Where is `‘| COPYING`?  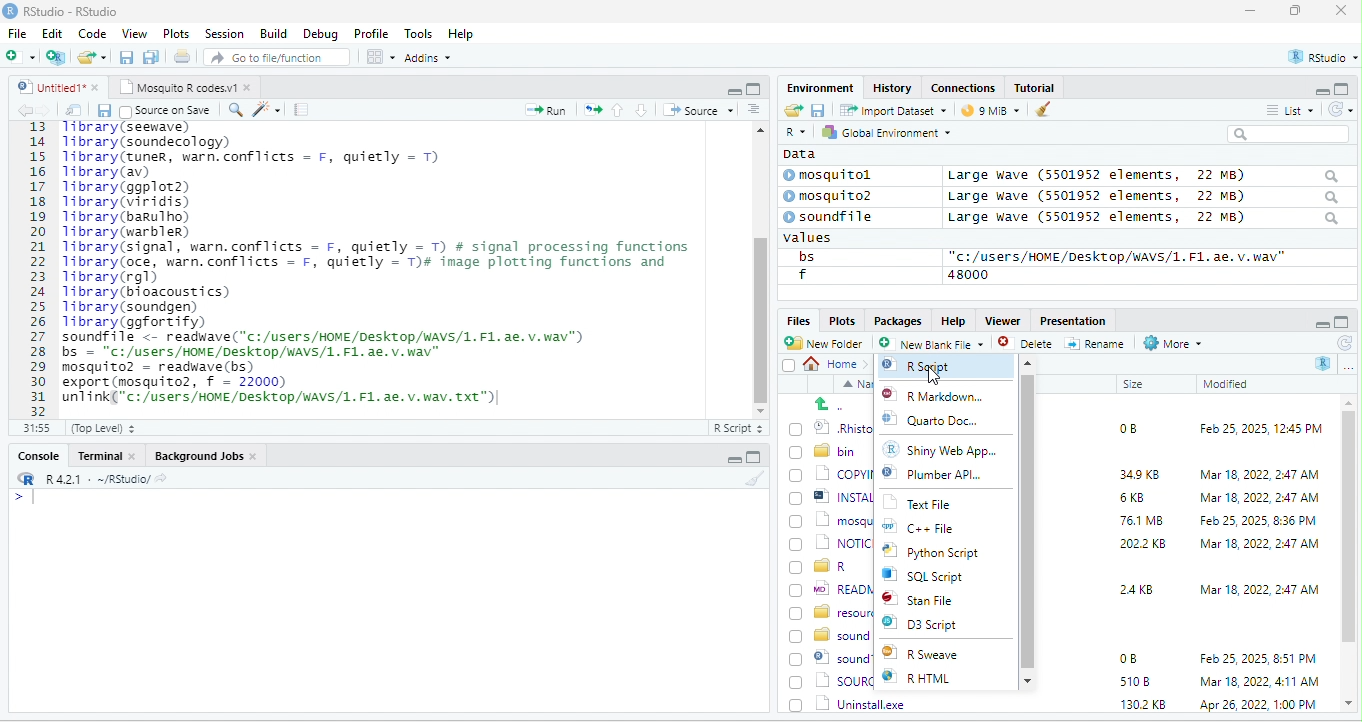
‘| COPYING is located at coordinates (831, 473).